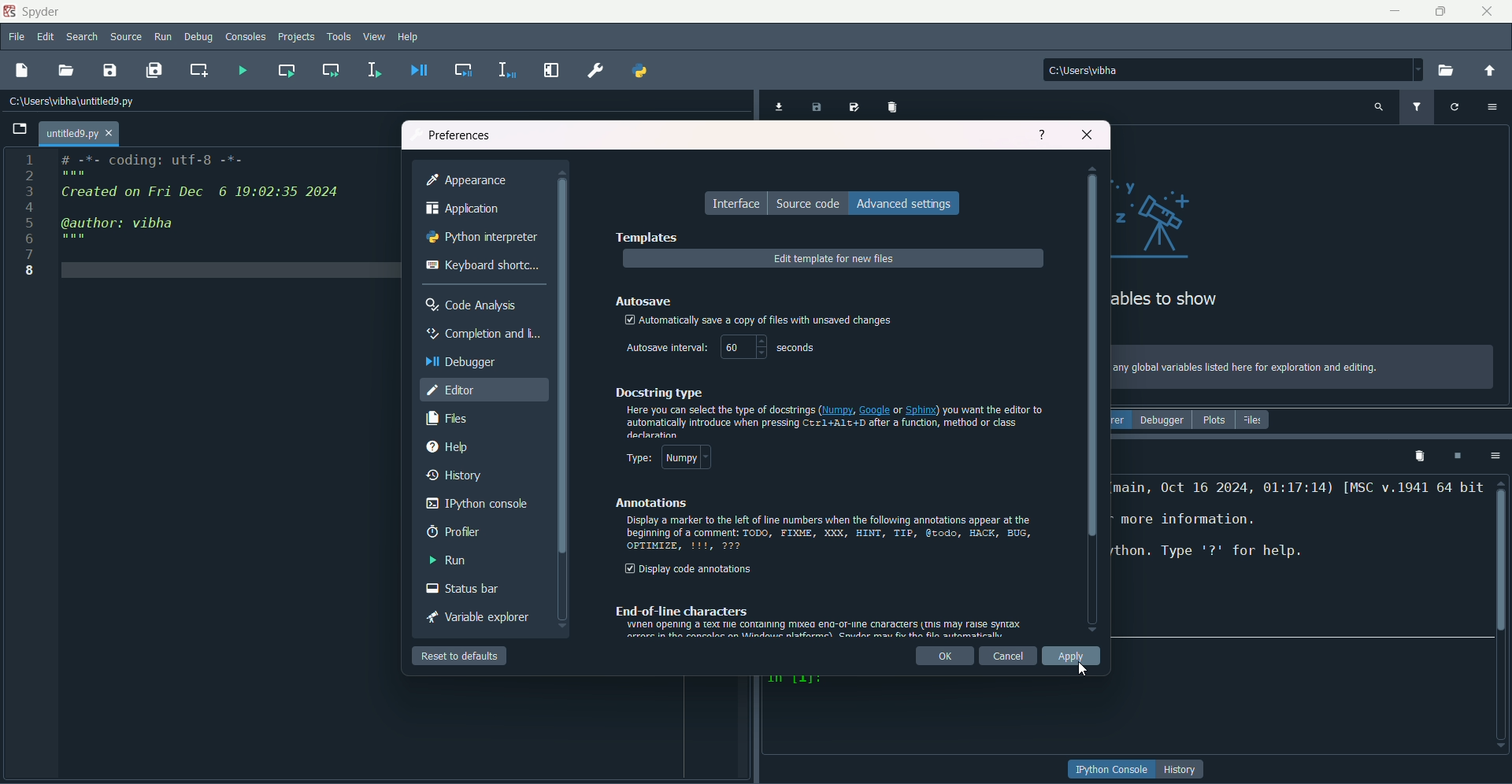 Image resolution: width=1512 pixels, height=784 pixels. What do you see at coordinates (1440, 11) in the screenshot?
I see `minimize/maximize` at bounding box center [1440, 11].